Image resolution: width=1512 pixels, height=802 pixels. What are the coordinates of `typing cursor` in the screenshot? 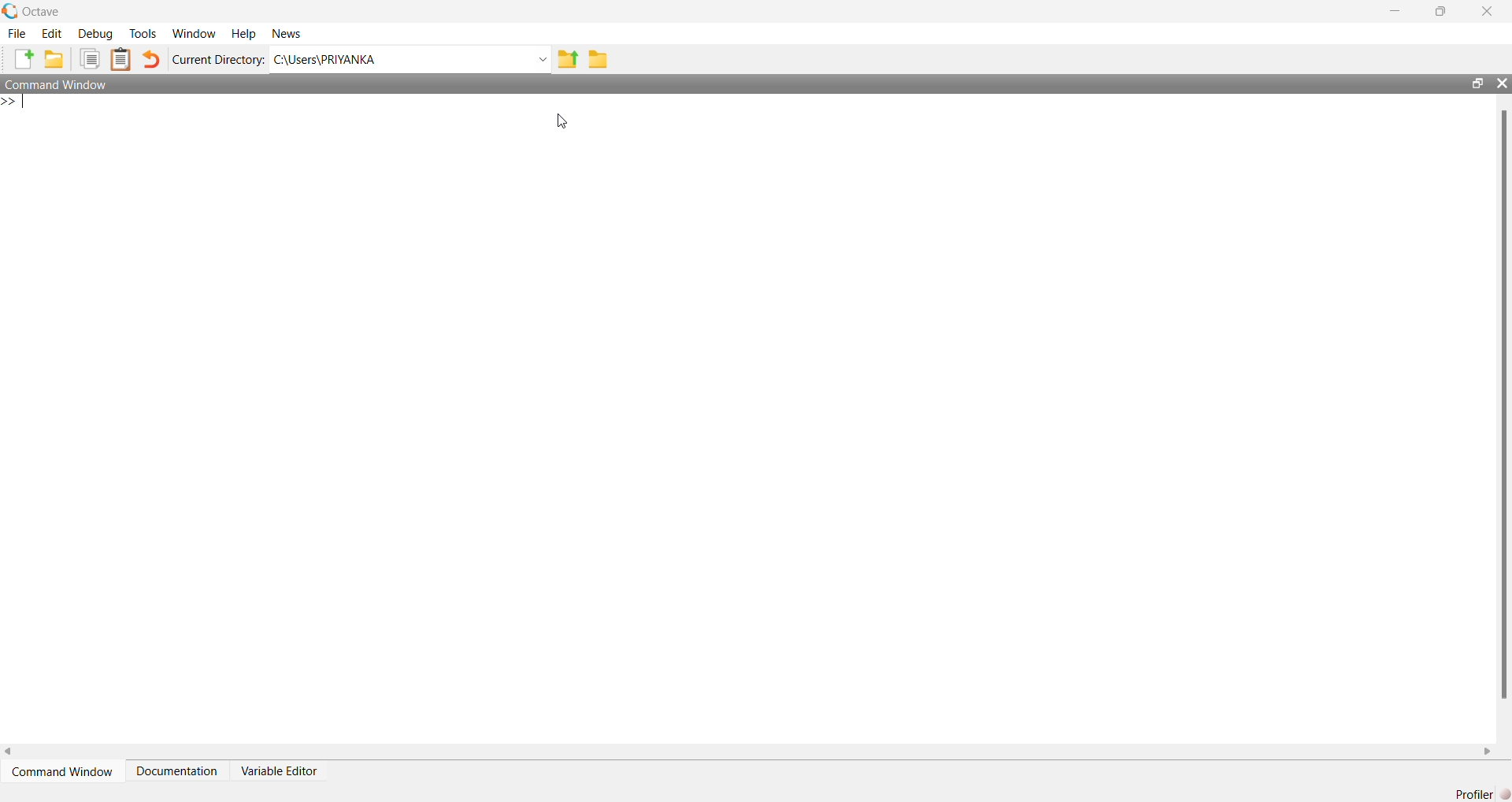 It's located at (33, 106).